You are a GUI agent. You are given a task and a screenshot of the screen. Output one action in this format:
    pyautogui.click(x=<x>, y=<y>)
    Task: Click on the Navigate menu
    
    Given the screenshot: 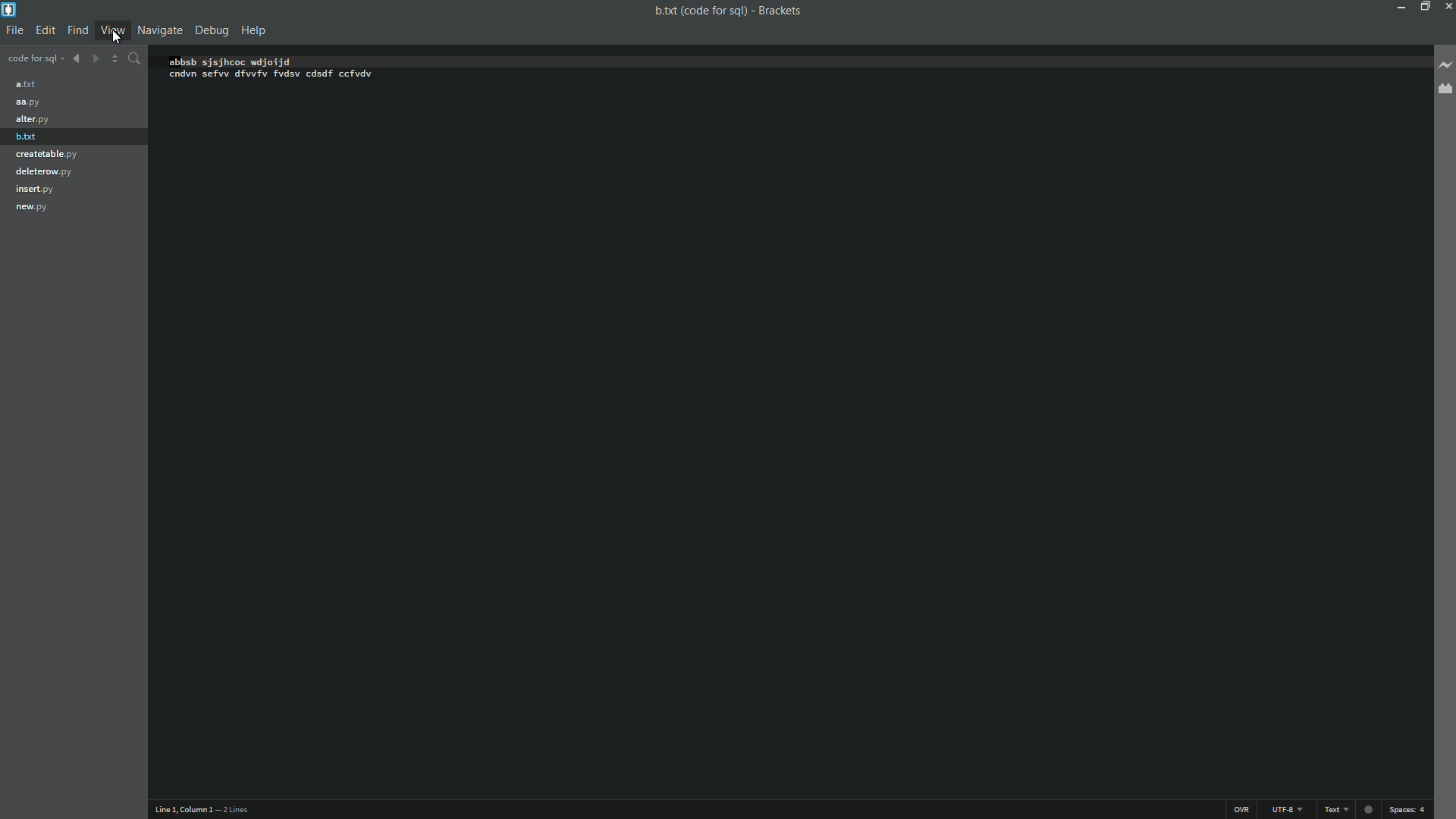 What is the action you would take?
    pyautogui.click(x=160, y=30)
    